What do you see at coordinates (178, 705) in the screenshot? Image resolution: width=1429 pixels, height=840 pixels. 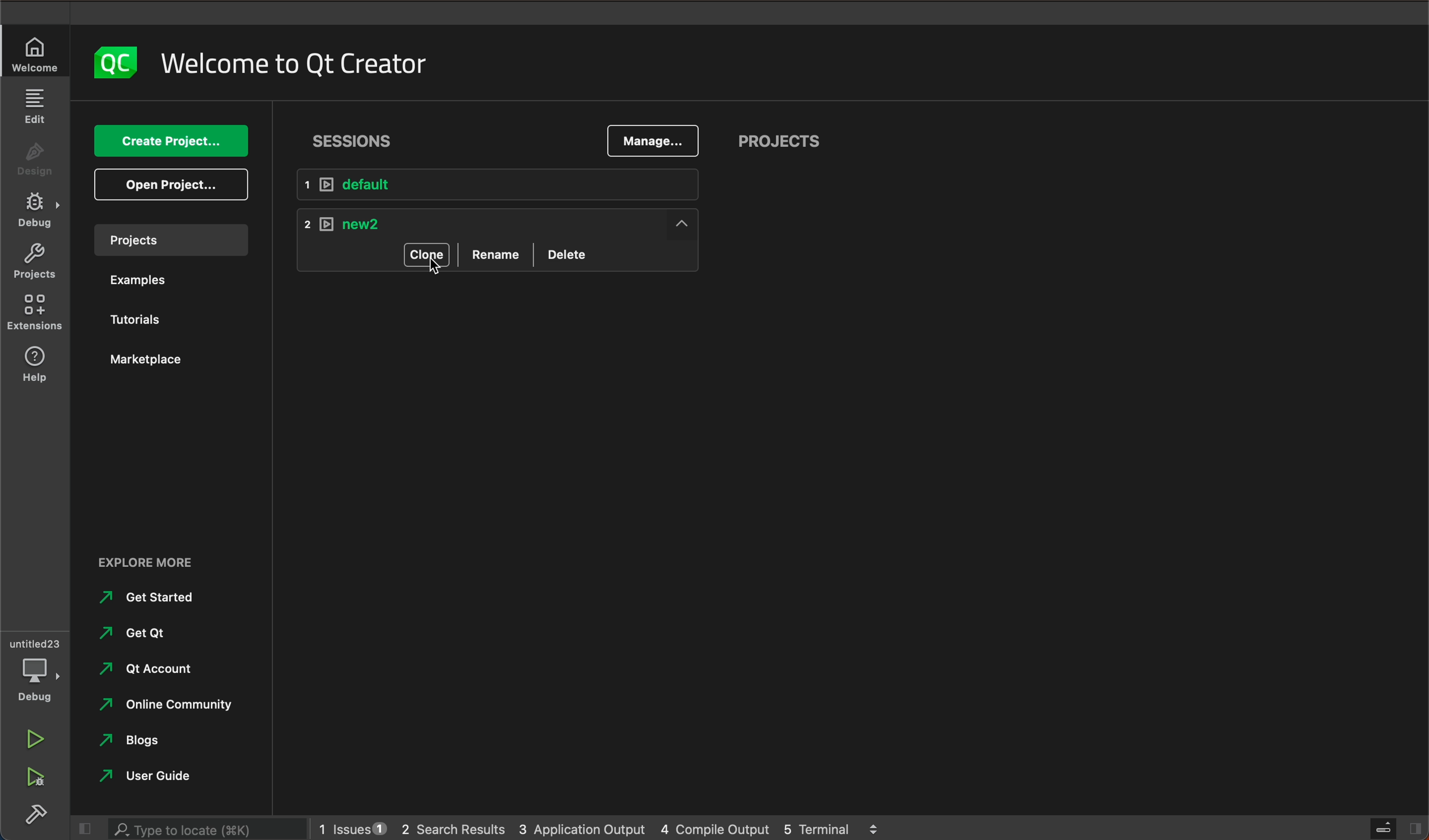 I see `online community` at bounding box center [178, 705].